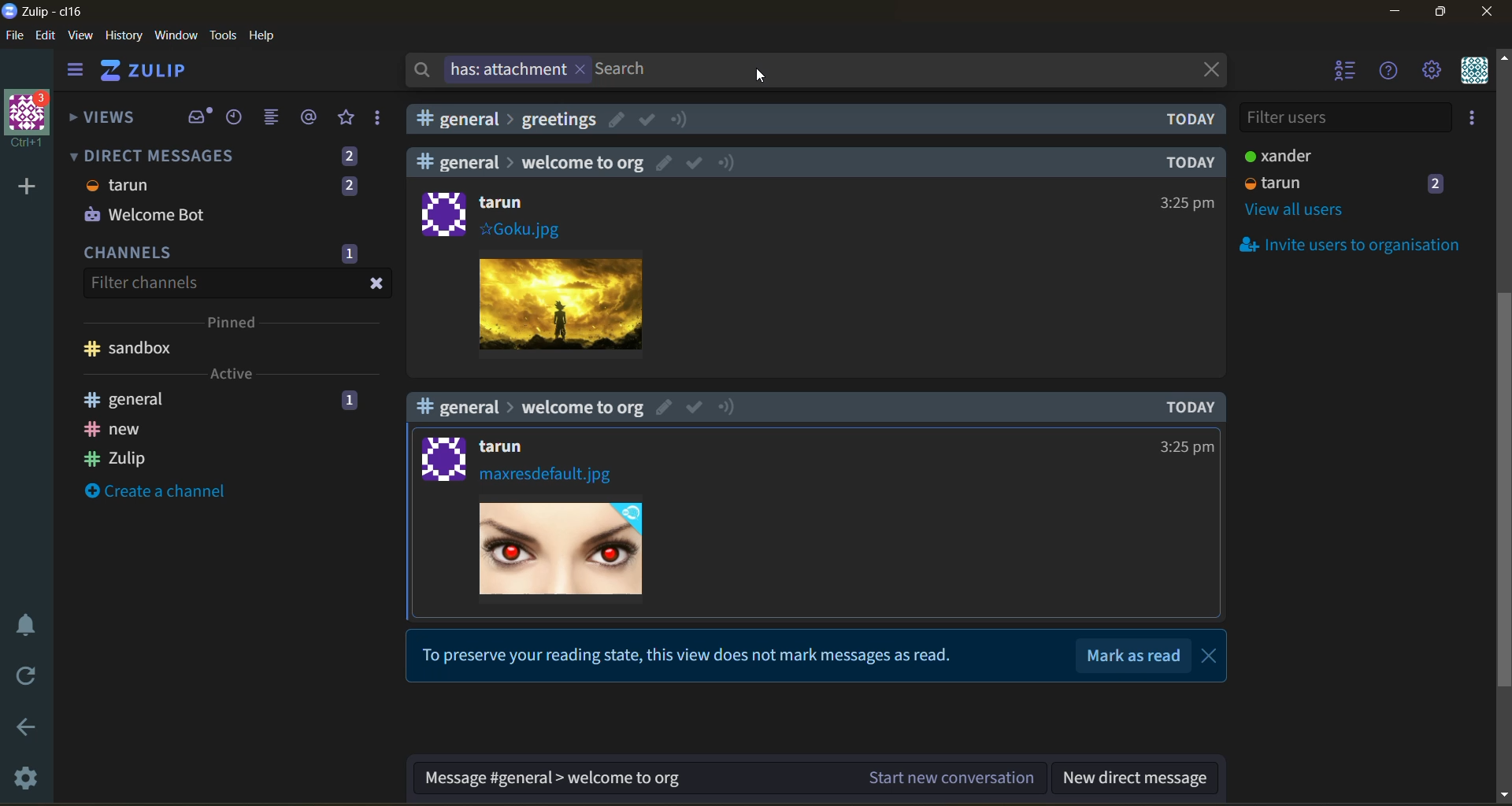  I want to click on logo, so click(443, 213).